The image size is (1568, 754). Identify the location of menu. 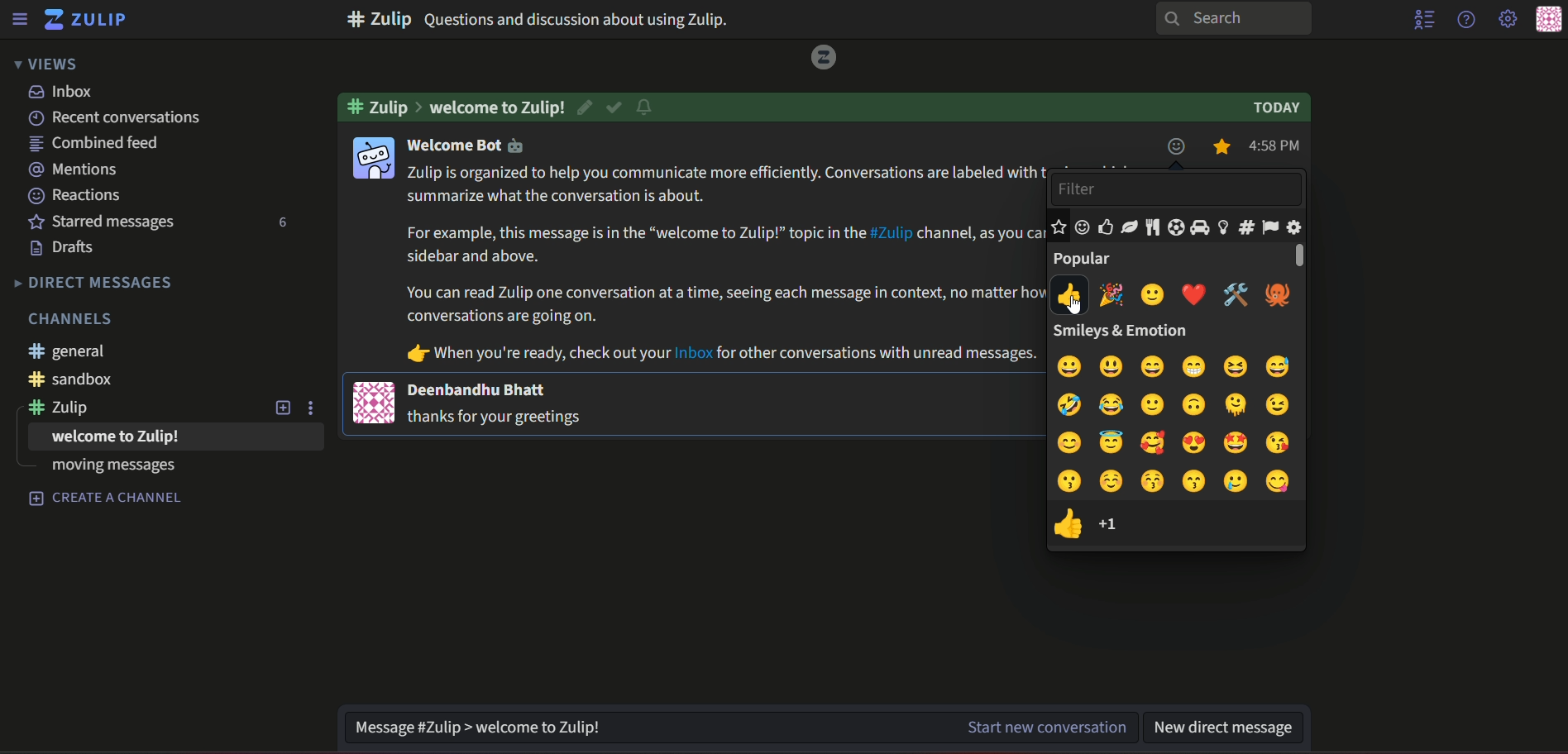
(23, 19).